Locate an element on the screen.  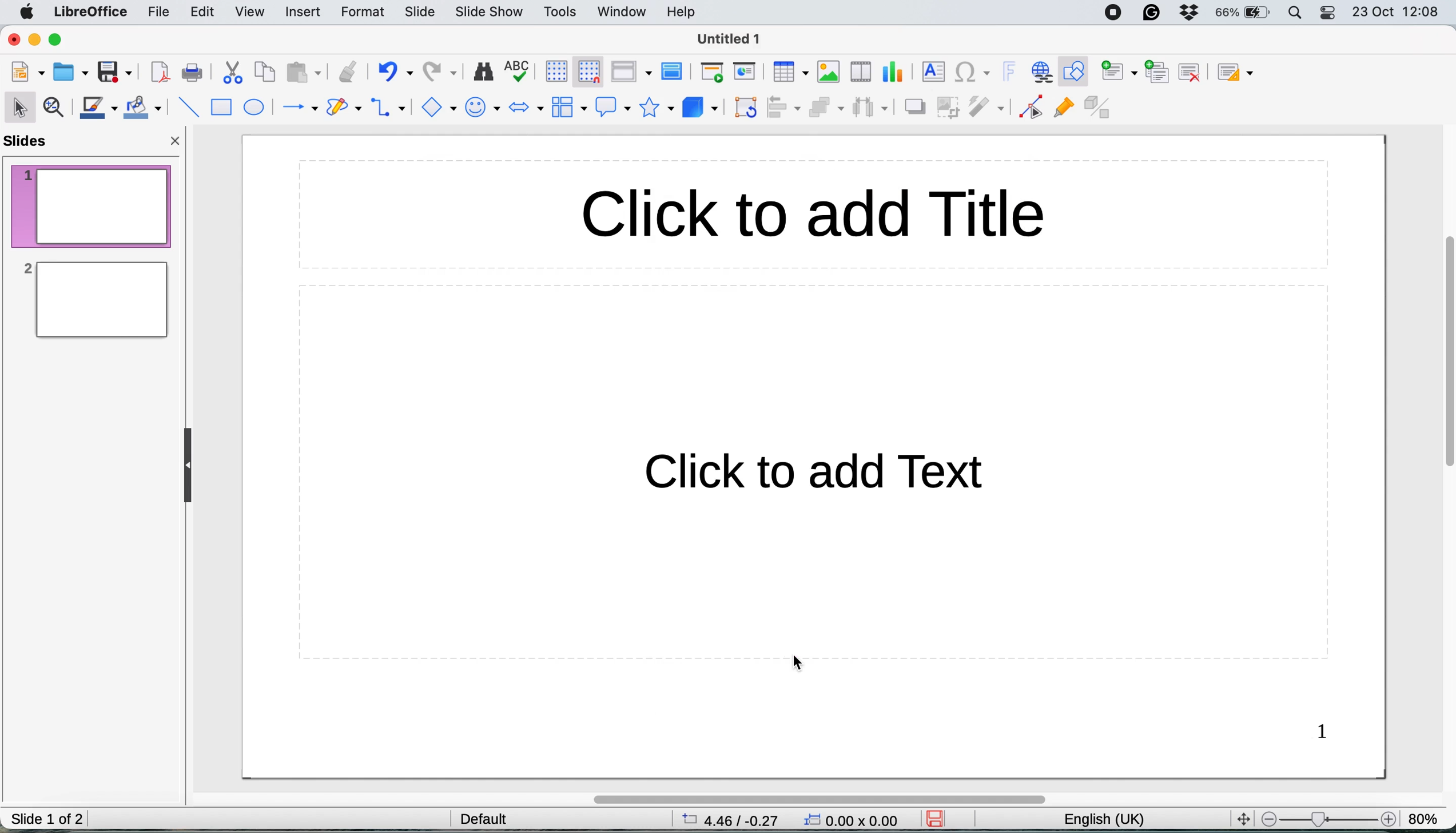
clone formatting is located at coordinates (346, 72).